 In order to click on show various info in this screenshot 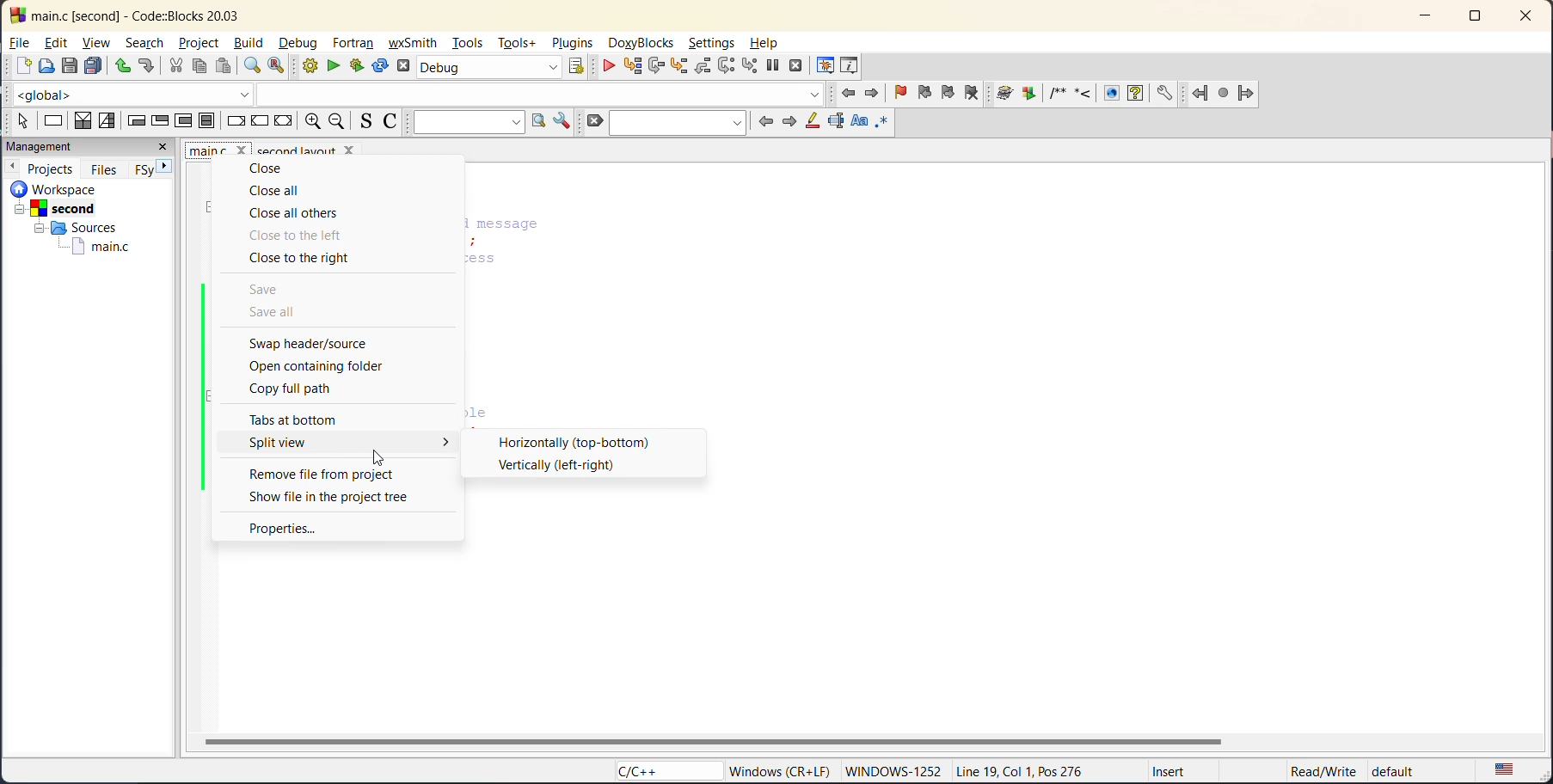, I will do `click(850, 64)`.